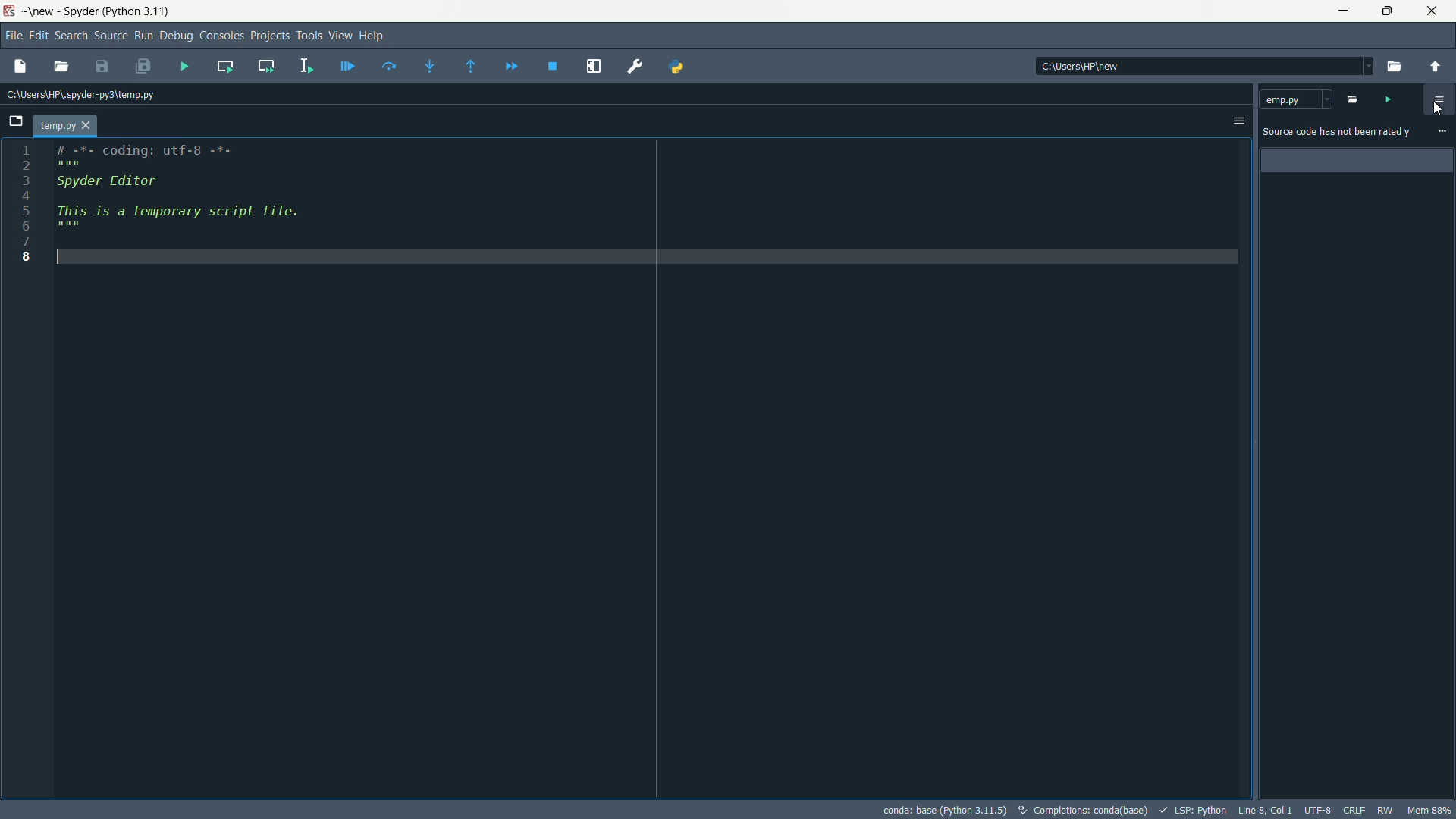  Describe the element at coordinates (338, 35) in the screenshot. I see `view menu` at that location.